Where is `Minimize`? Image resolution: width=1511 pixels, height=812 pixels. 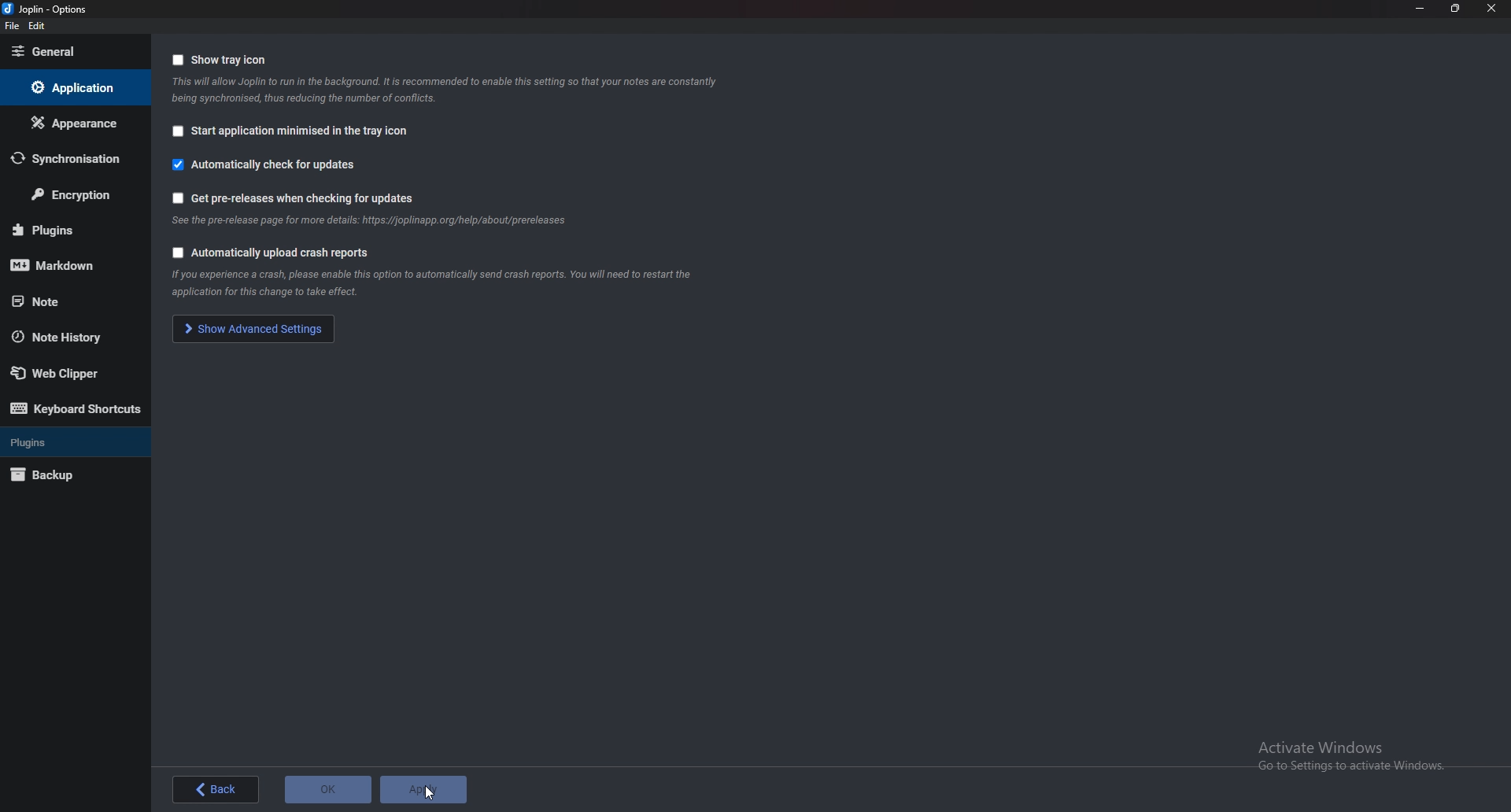 Minimize is located at coordinates (1420, 8).